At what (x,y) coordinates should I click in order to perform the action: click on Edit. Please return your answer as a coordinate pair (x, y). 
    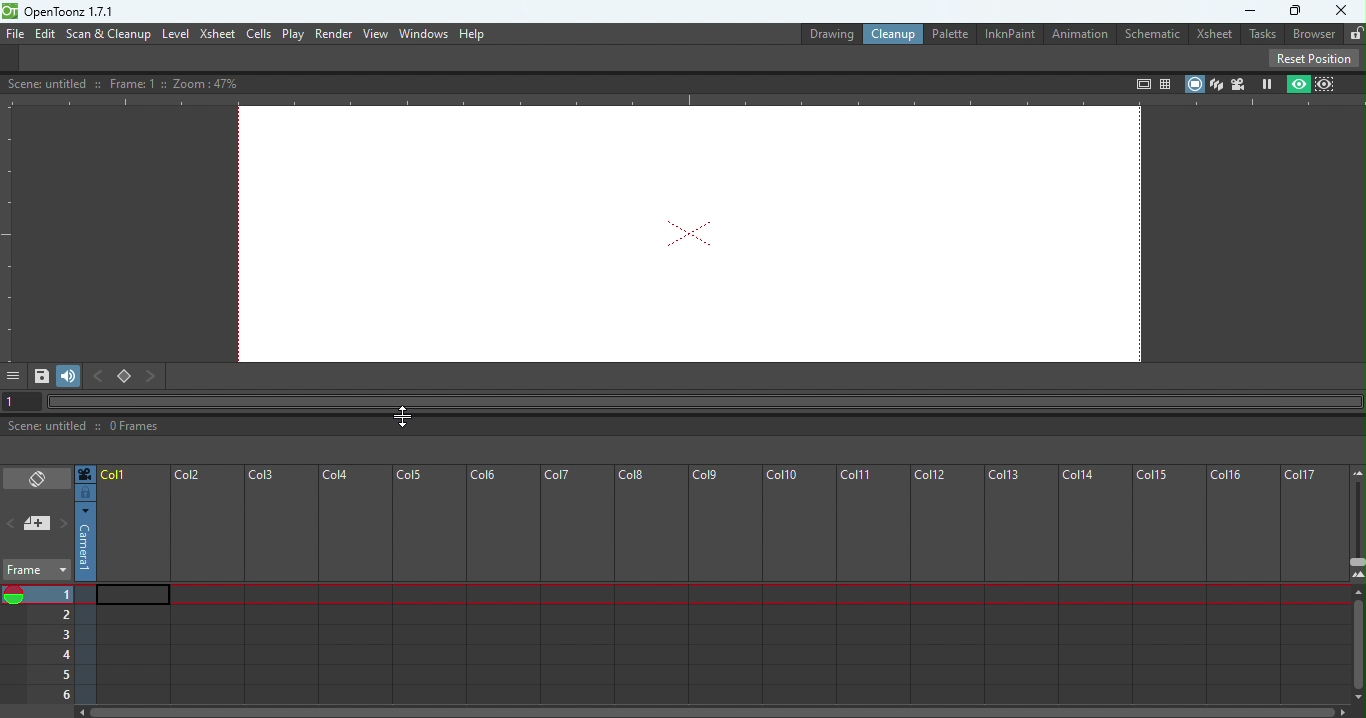
    Looking at the image, I should click on (44, 33).